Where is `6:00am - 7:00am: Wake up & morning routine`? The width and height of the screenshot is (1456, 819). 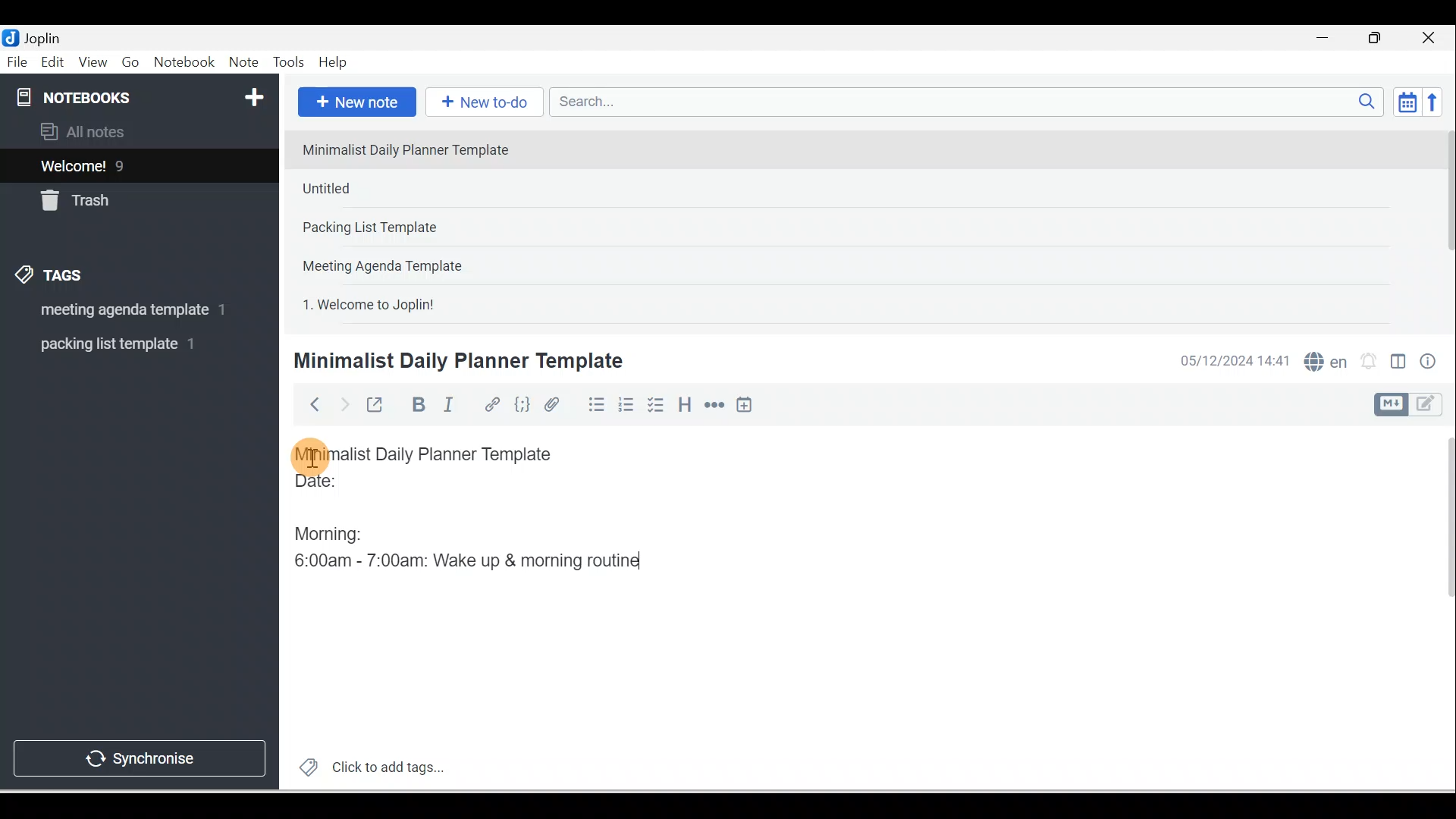
6:00am - 7:00am: Wake up & morning routine is located at coordinates (472, 560).